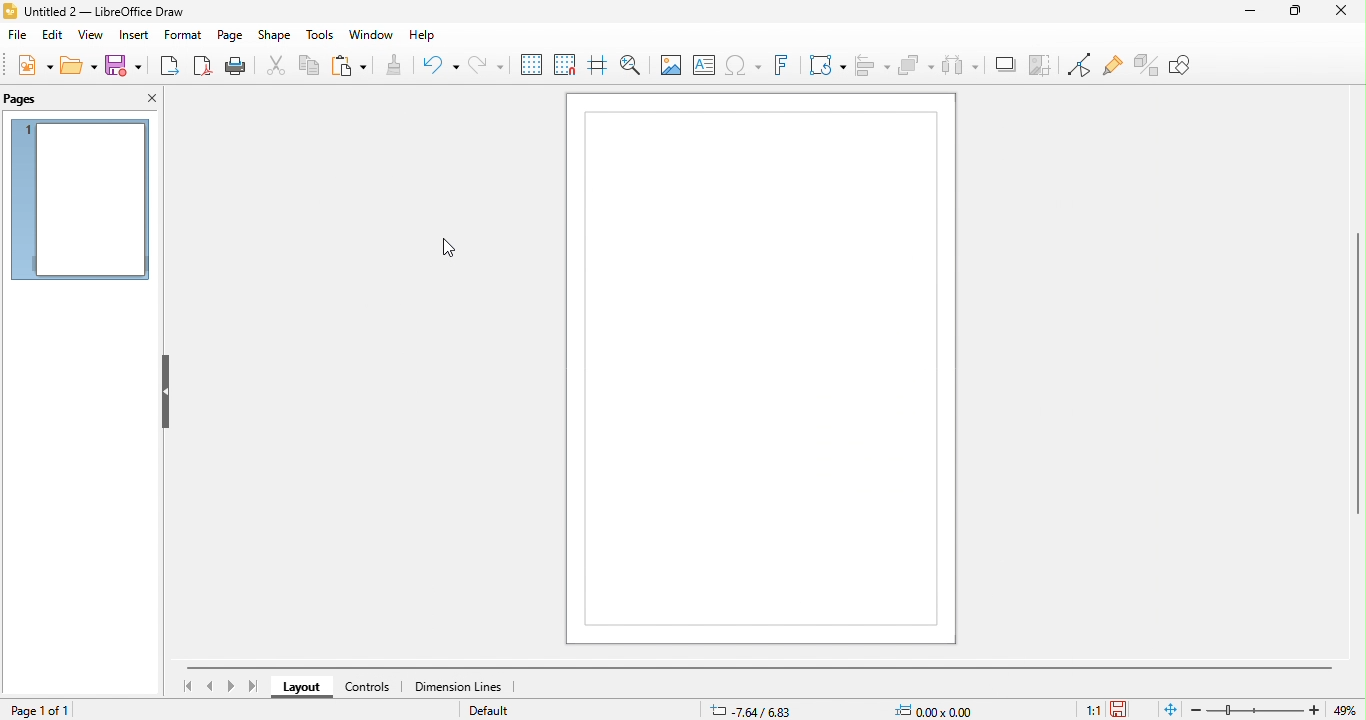 The image size is (1366, 720). I want to click on insert , so click(133, 35).